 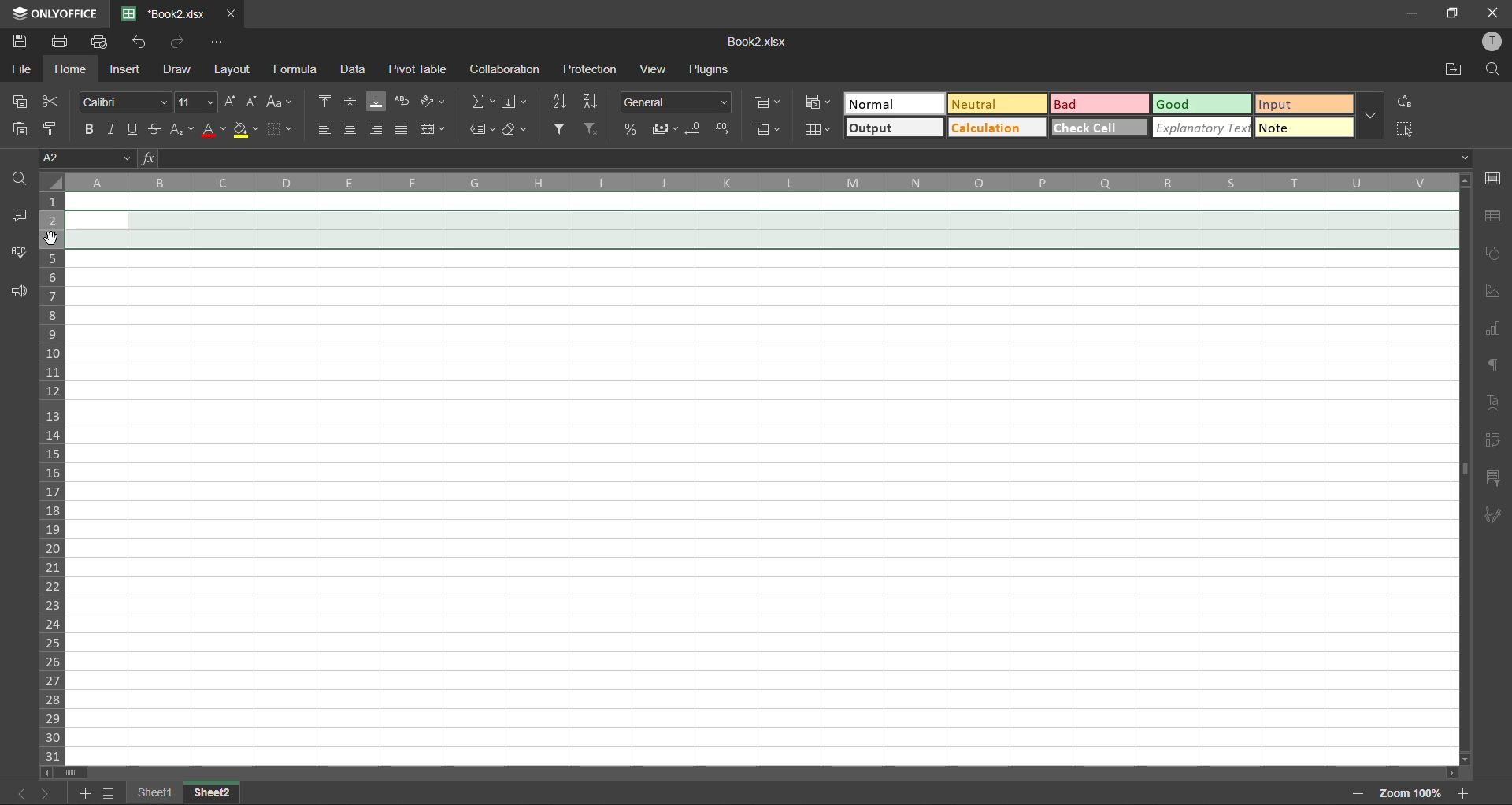 What do you see at coordinates (282, 128) in the screenshot?
I see `borders` at bounding box center [282, 128].